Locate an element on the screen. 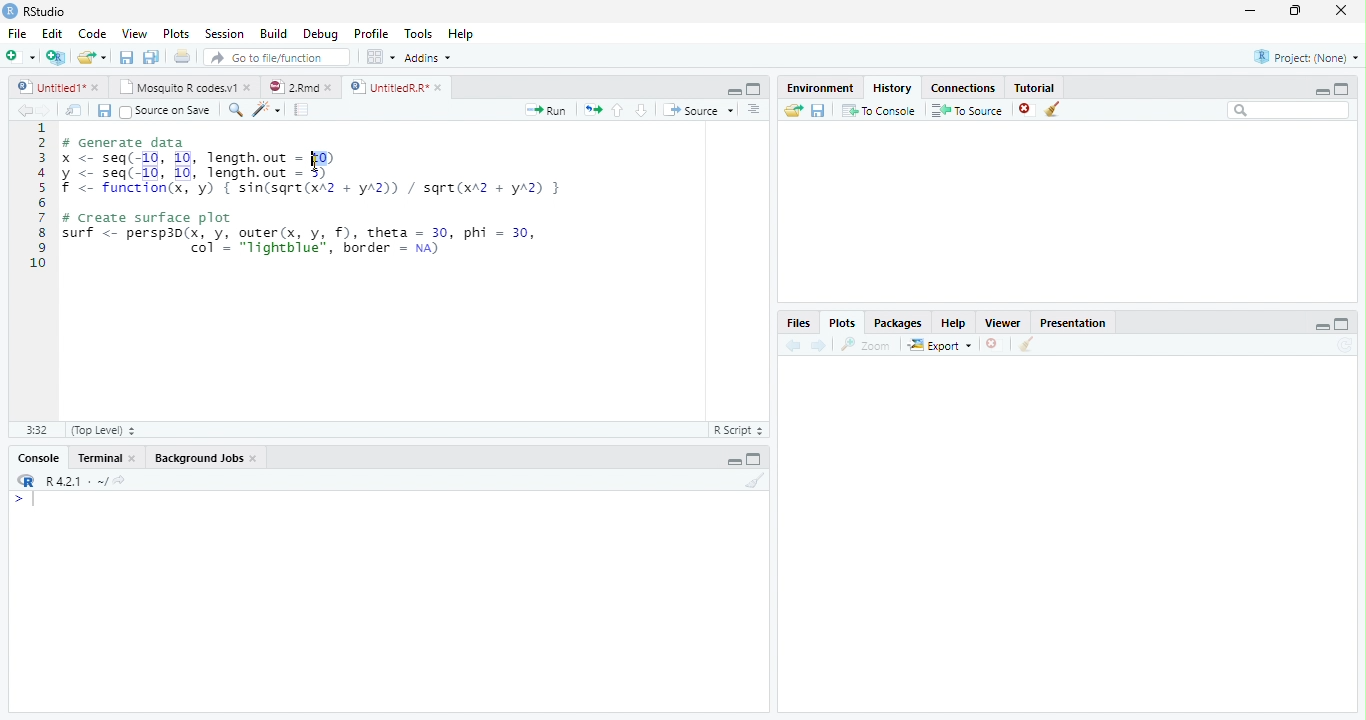  Presentation is located at coordinates (1073, 322).